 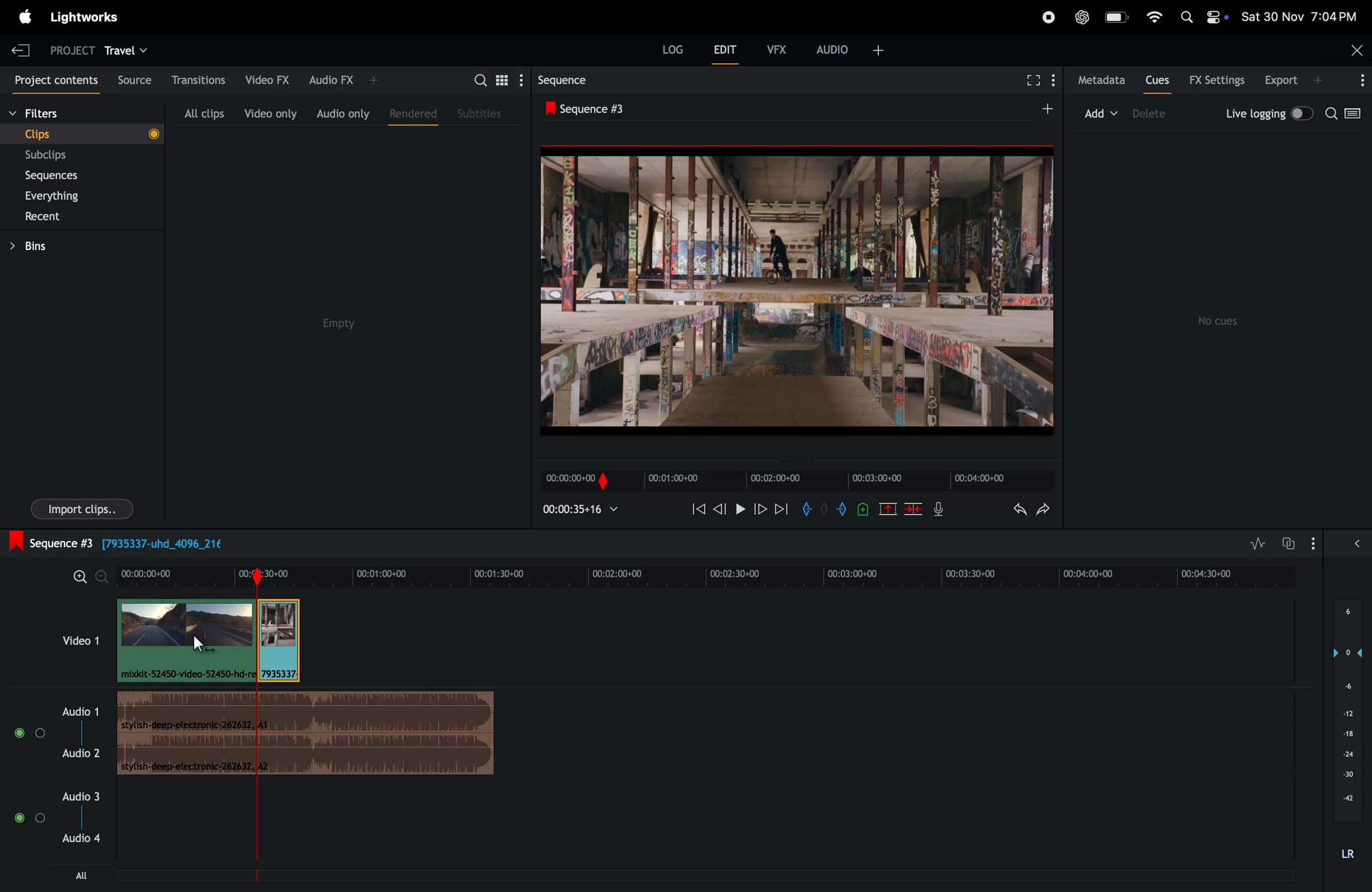 What do you see at coordinates (1347, 617) in the screenshot?
I see `6 (layers)` at bounding box center [1347, 617].